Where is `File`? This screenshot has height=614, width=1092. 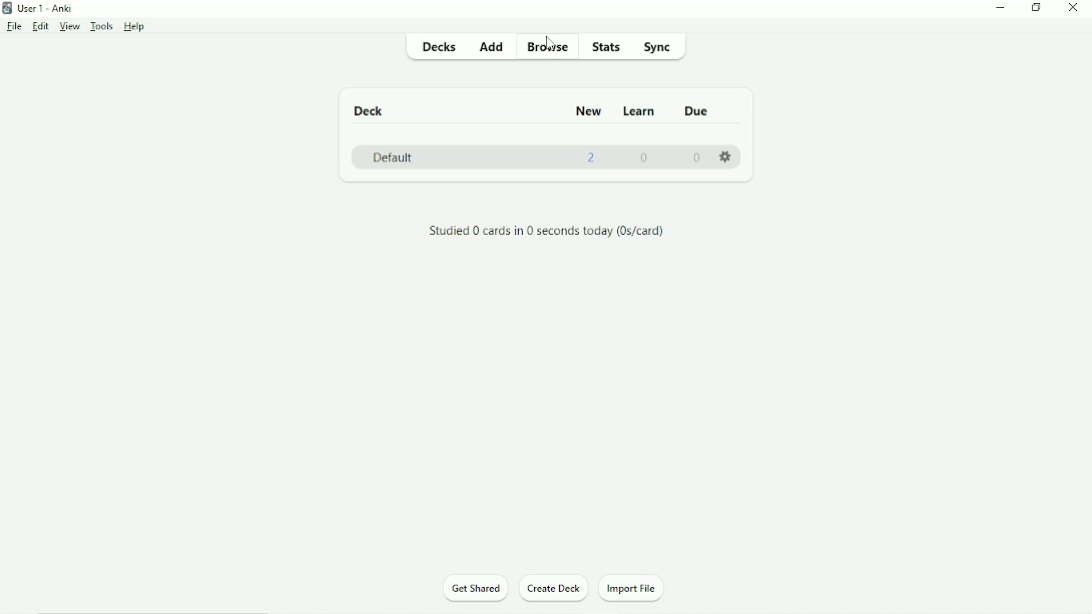 File is located at coordinates (13, 27).